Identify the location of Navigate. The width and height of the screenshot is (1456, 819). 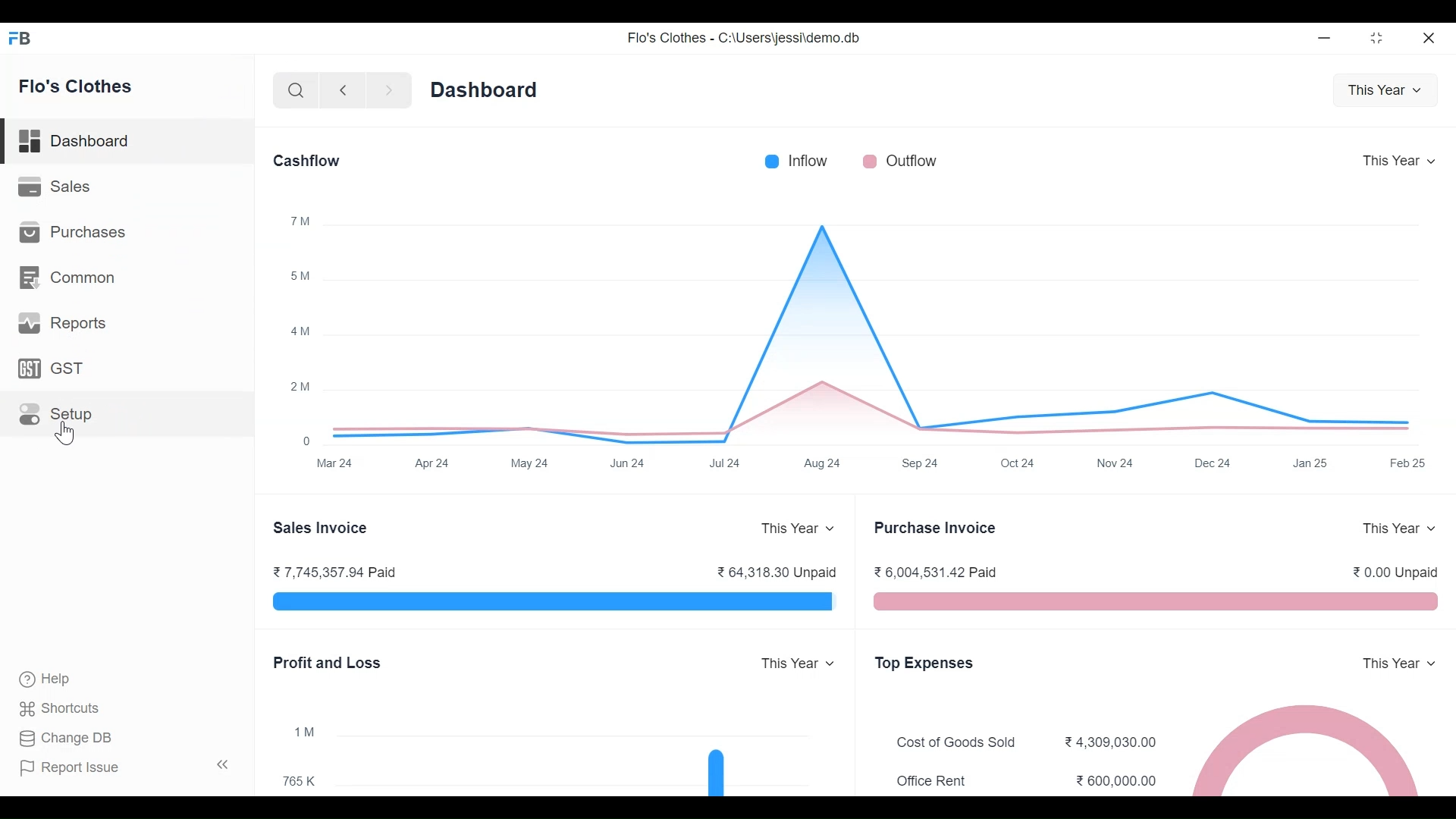
(387, 91).